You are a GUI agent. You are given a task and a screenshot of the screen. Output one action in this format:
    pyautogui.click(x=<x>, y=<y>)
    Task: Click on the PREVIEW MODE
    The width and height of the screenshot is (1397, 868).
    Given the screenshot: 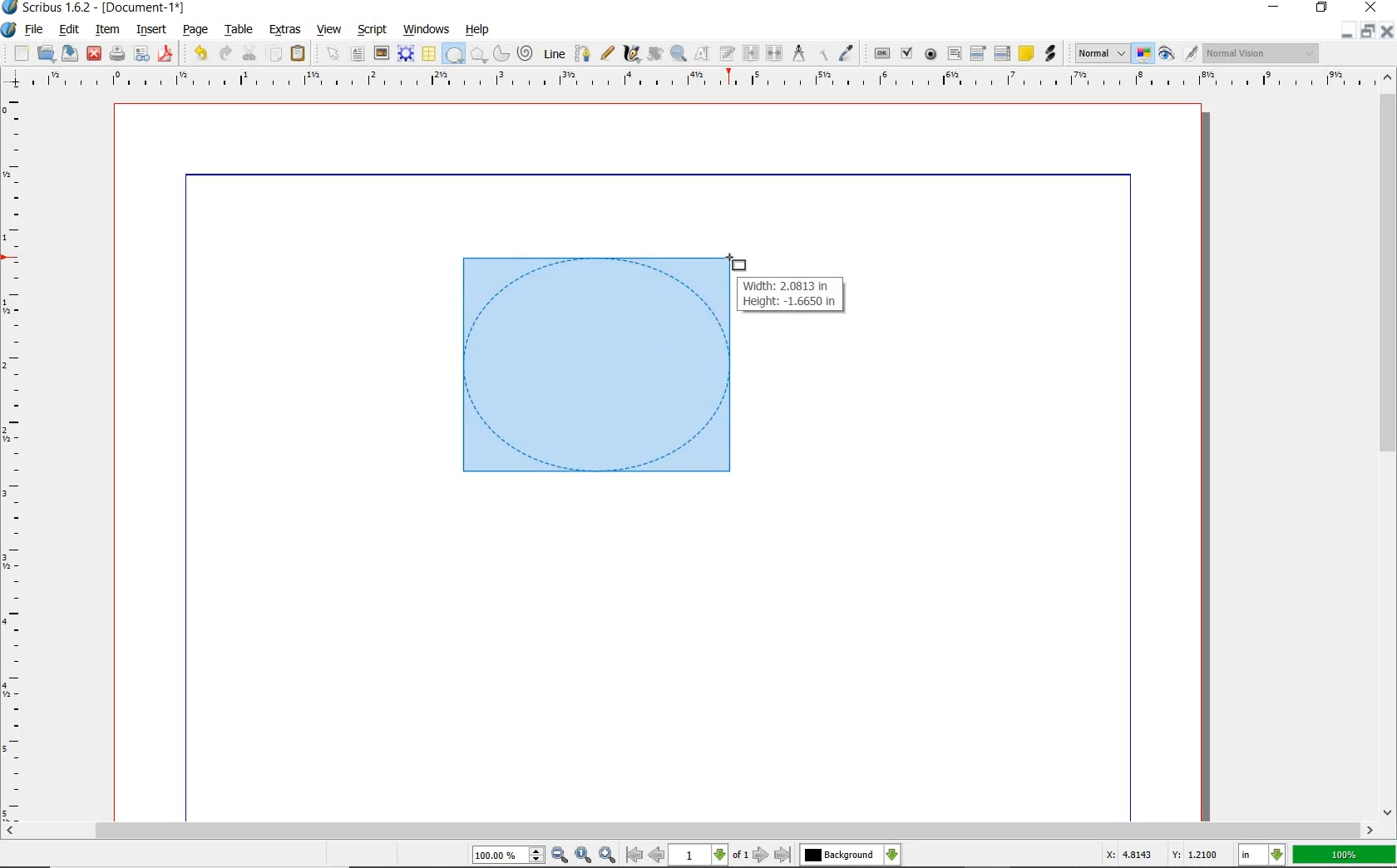 What is the action you would take?
    pyautogui.click(x=1165, y=54)
    